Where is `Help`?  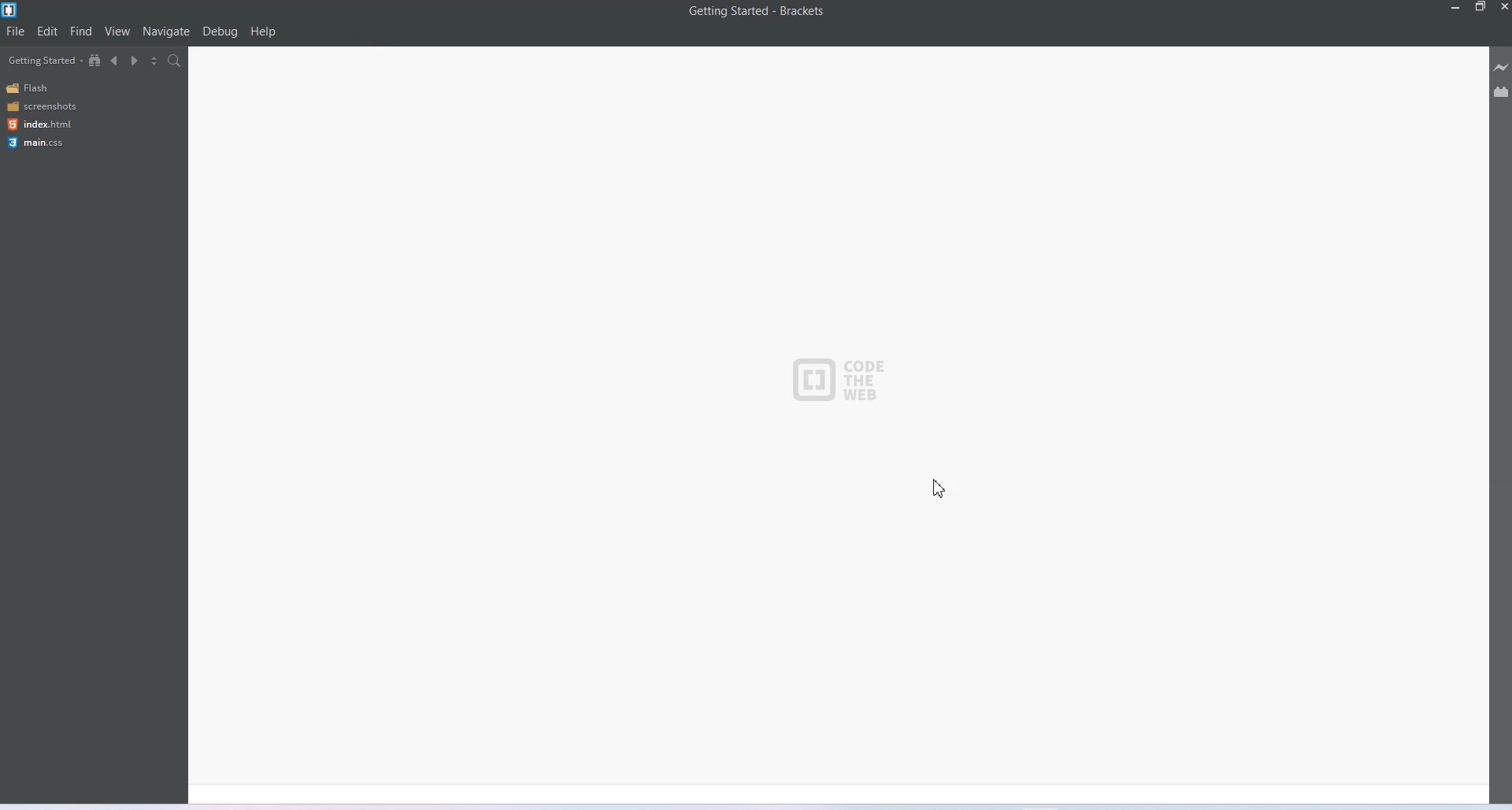
Help is located at coordinates (263, 31).